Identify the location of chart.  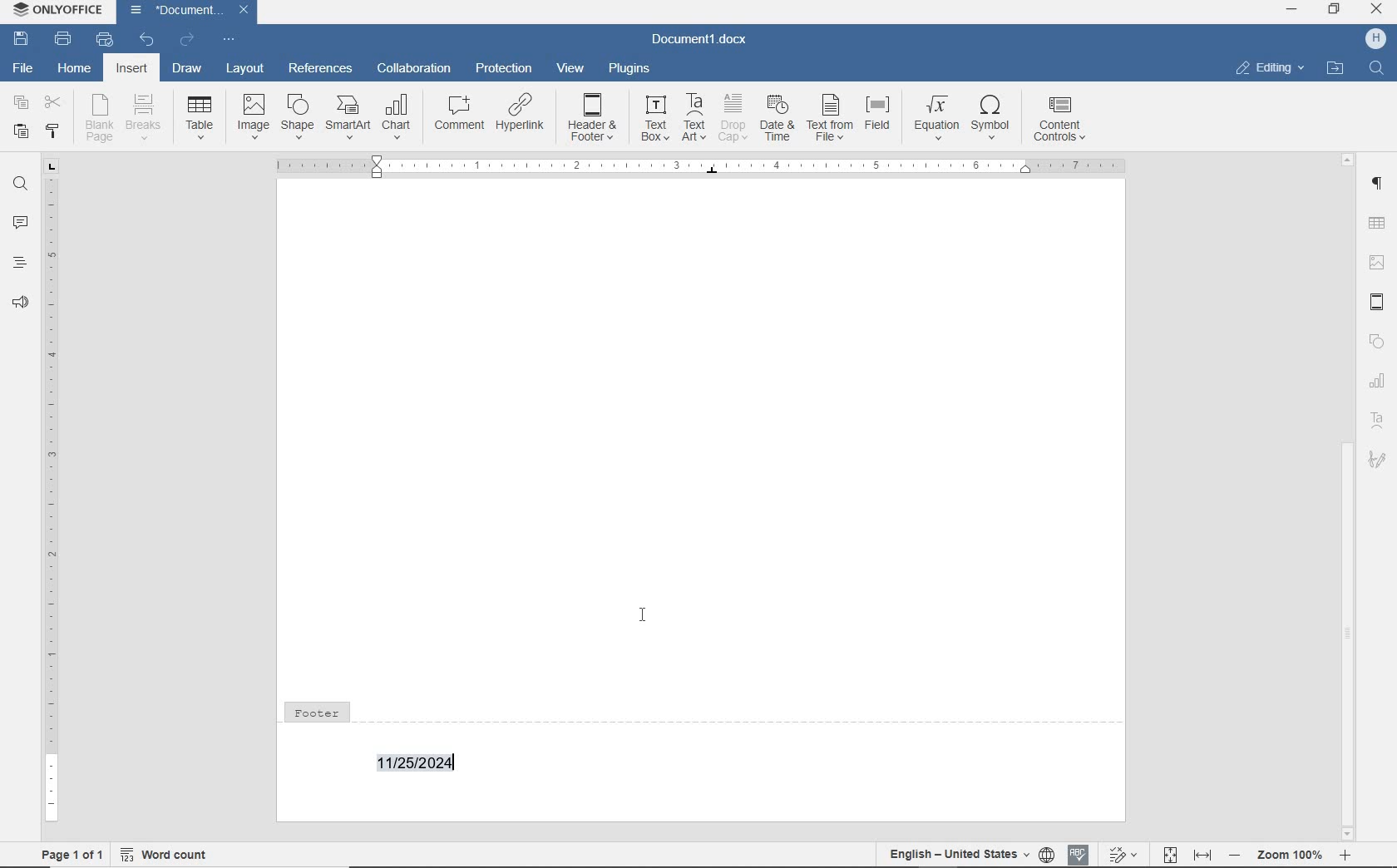
(1379, 388).